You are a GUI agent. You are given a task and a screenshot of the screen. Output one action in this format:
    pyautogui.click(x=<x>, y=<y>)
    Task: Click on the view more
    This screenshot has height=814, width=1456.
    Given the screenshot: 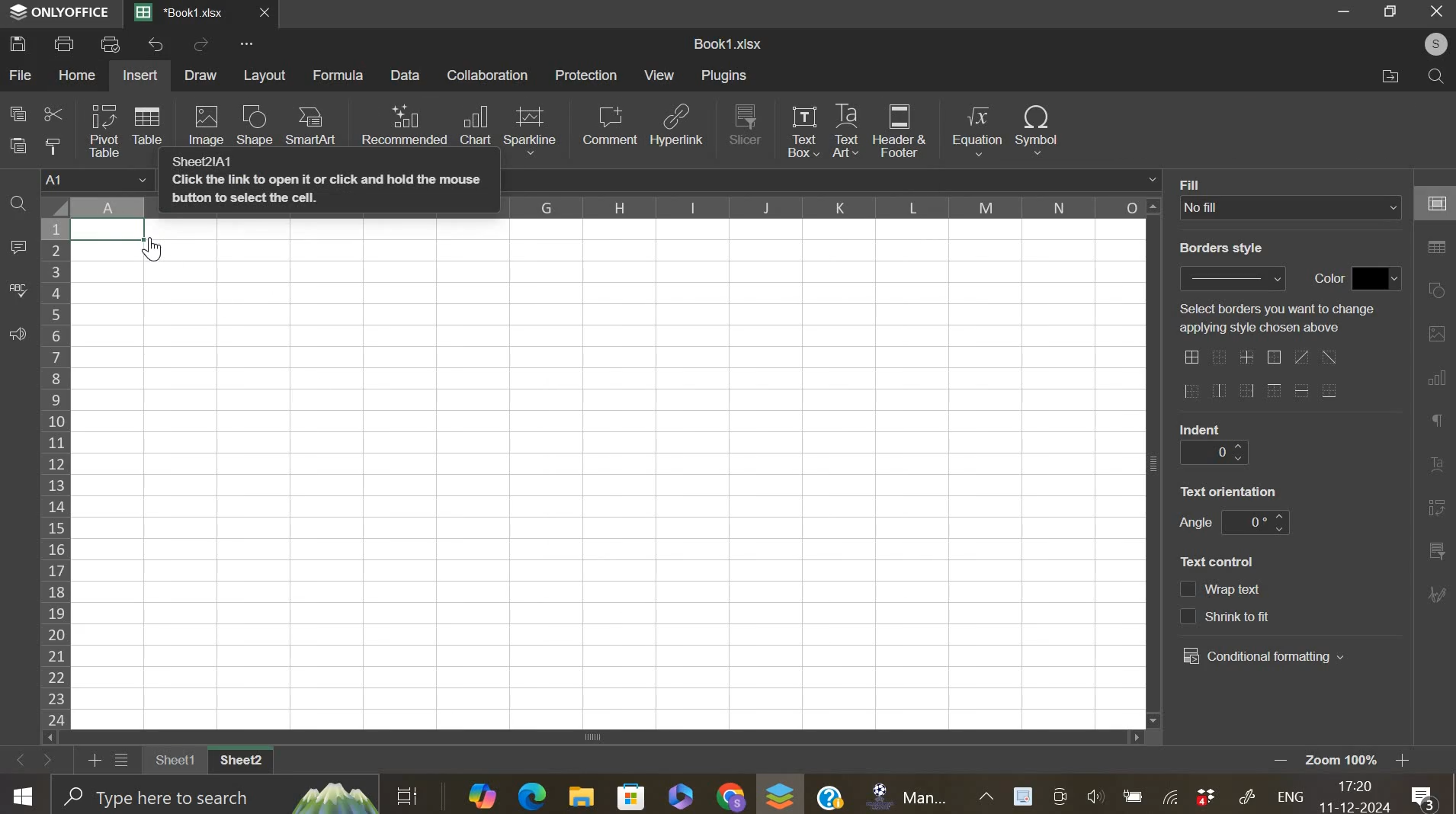 What is the action you would take?
    pyautogui.click(x=252, y=46)
    